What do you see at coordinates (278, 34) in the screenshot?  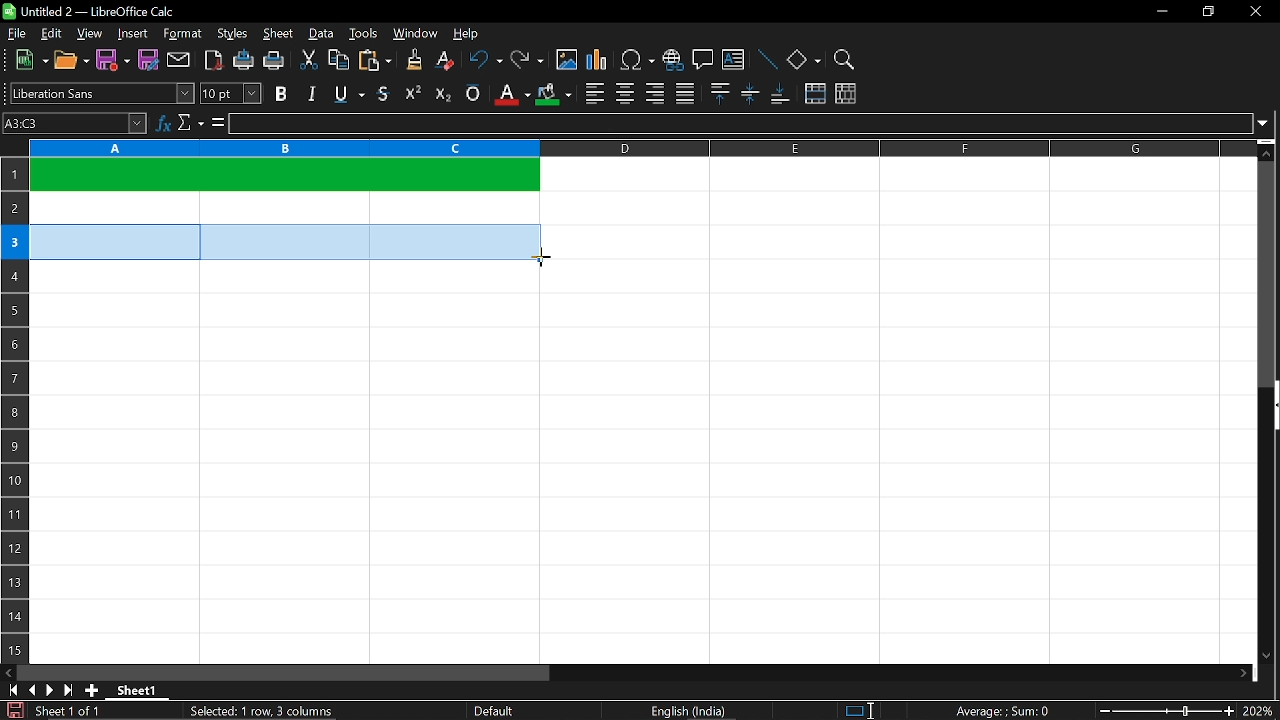 I see `sheet` at bounding box center [278, 34].